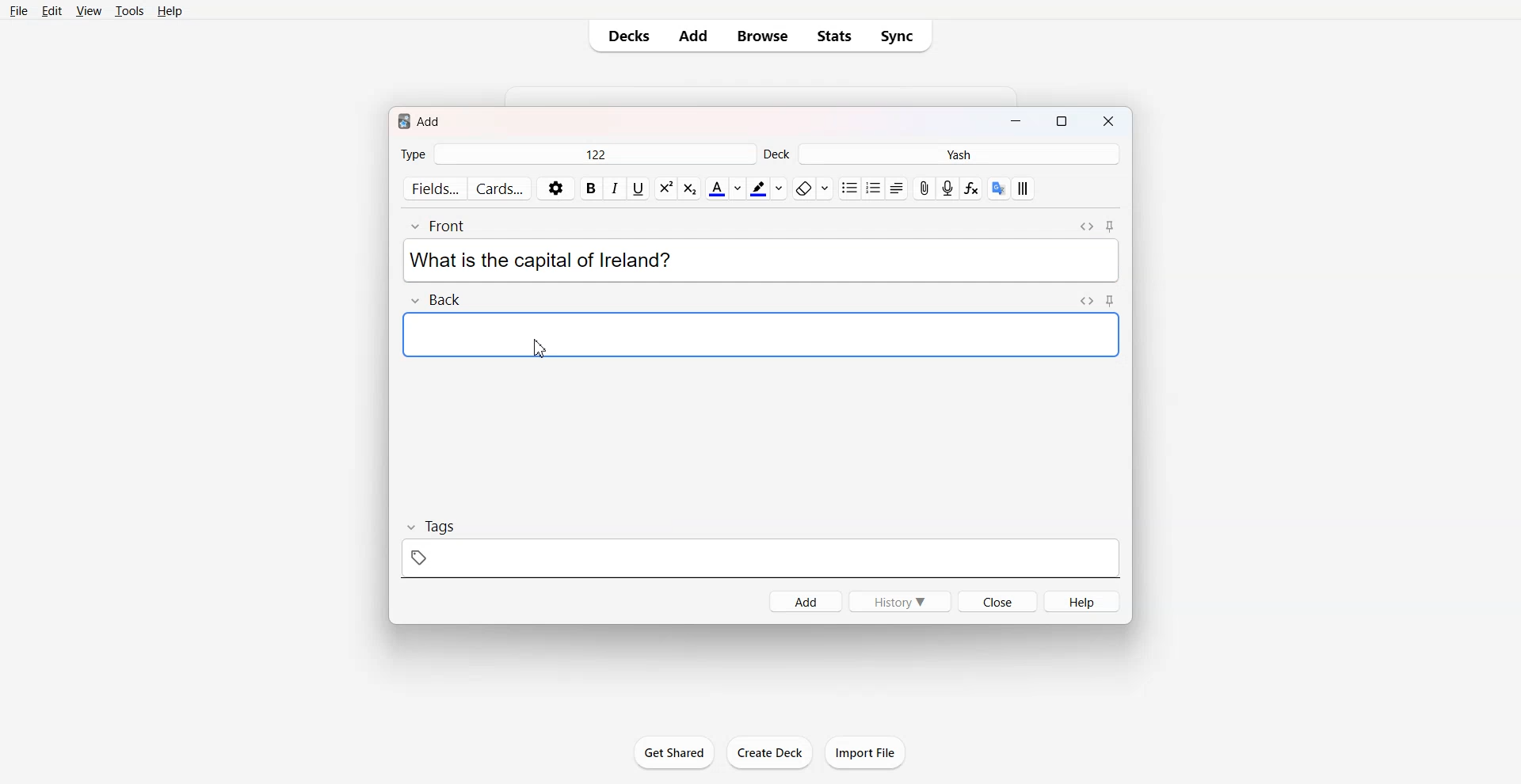 The image size is (1521, 784). What do you see at coordinates (689, 188) in the screenshot?
I see `Superscript` at bounding box center [689, 188].